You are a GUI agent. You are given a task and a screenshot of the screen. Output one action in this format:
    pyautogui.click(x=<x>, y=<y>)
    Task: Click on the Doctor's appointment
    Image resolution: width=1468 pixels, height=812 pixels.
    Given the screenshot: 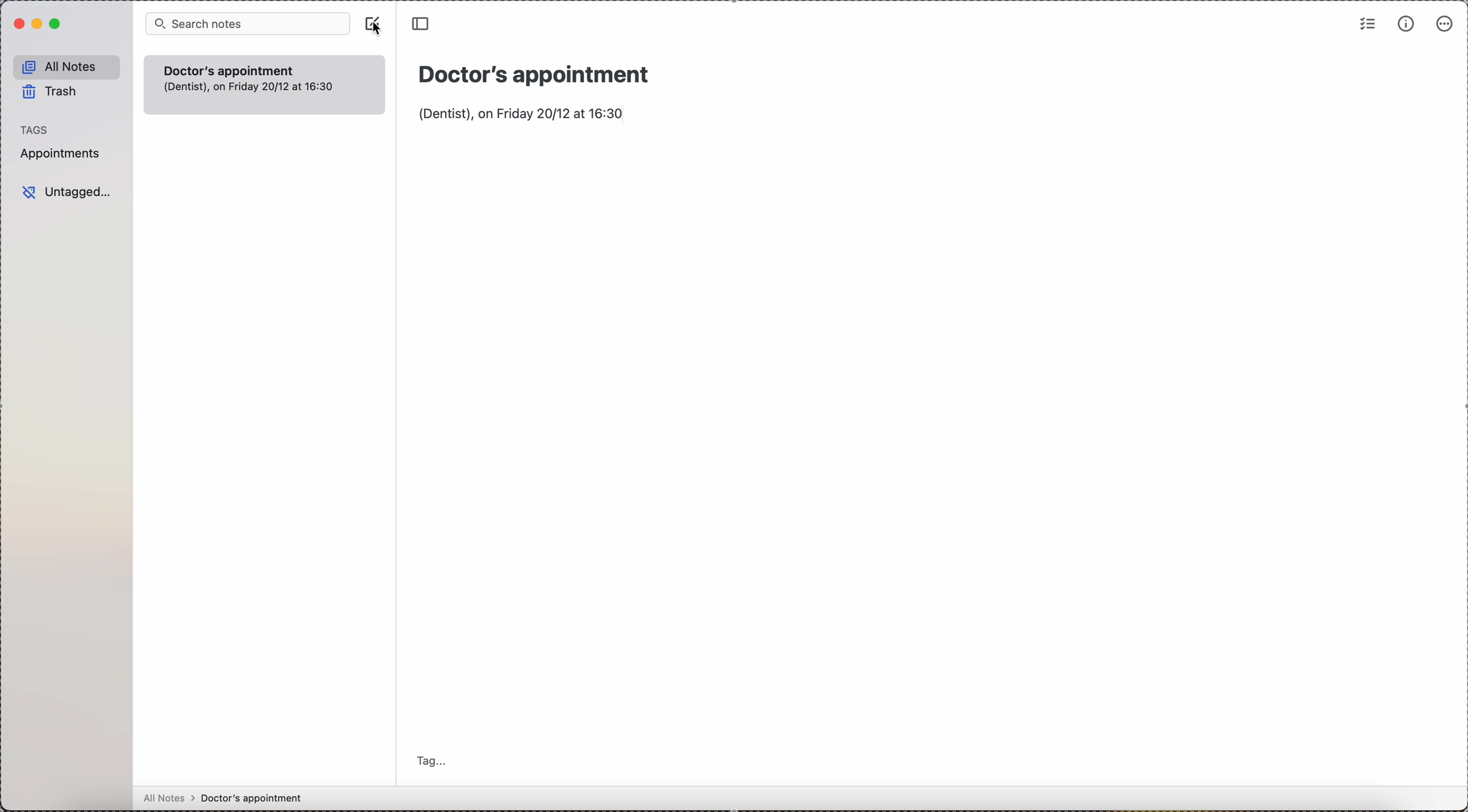 What is the action you would take?
    pyautogui.click(x=539, y=75)
    